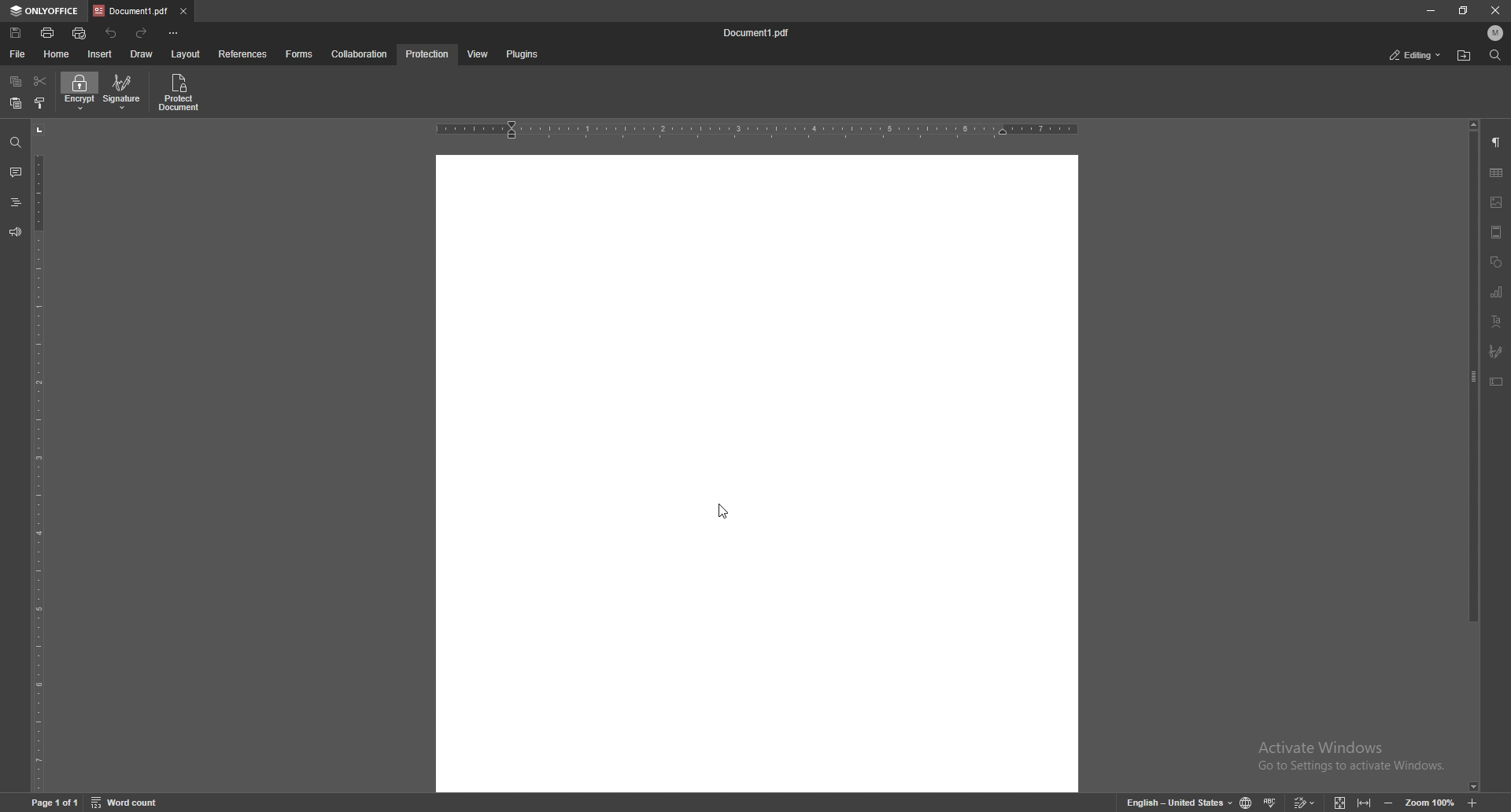  I want to click on zoom in, so click(1474, 801).